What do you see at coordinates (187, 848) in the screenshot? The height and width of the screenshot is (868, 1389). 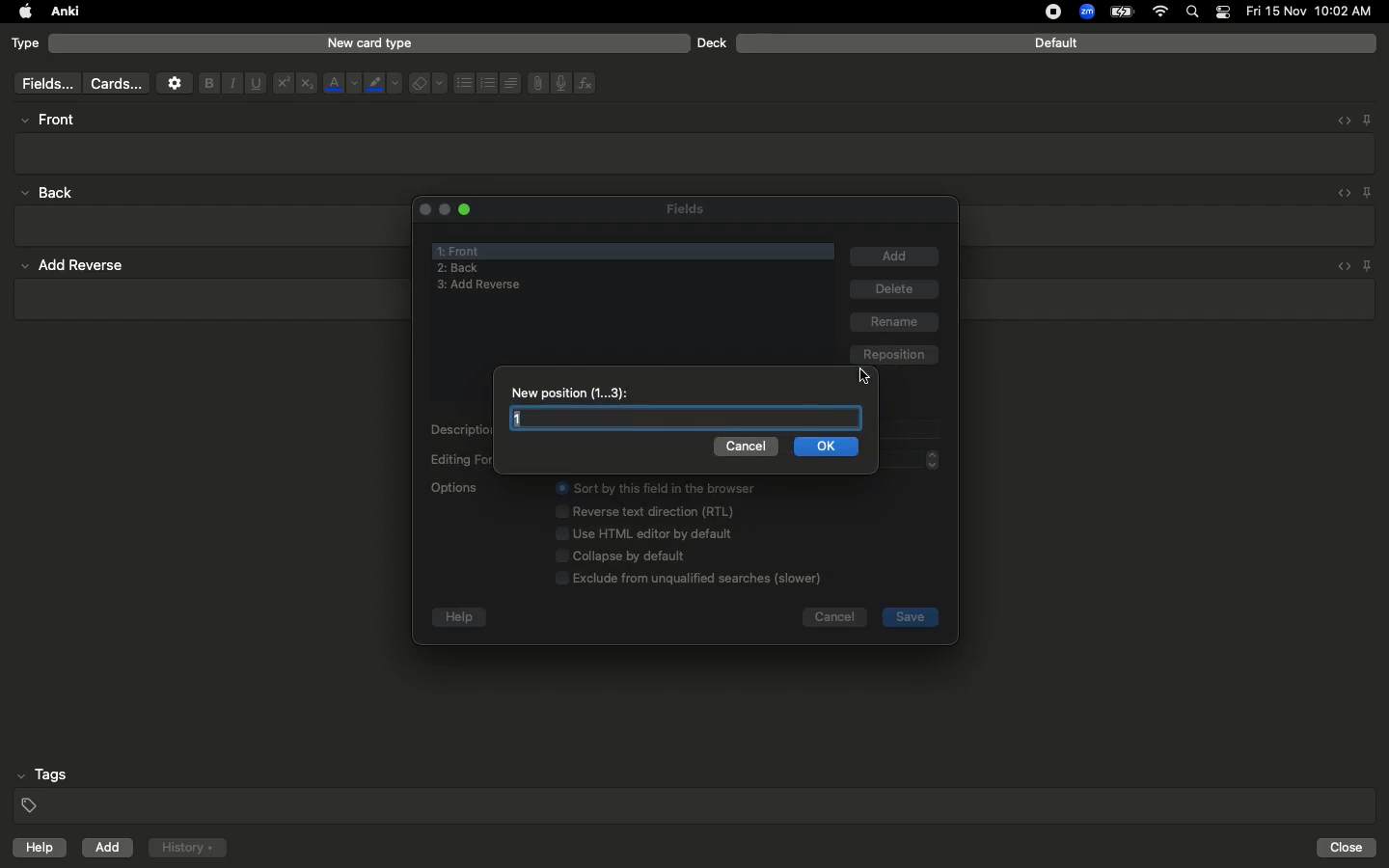 I see `History` at bounding box center [187, 848].